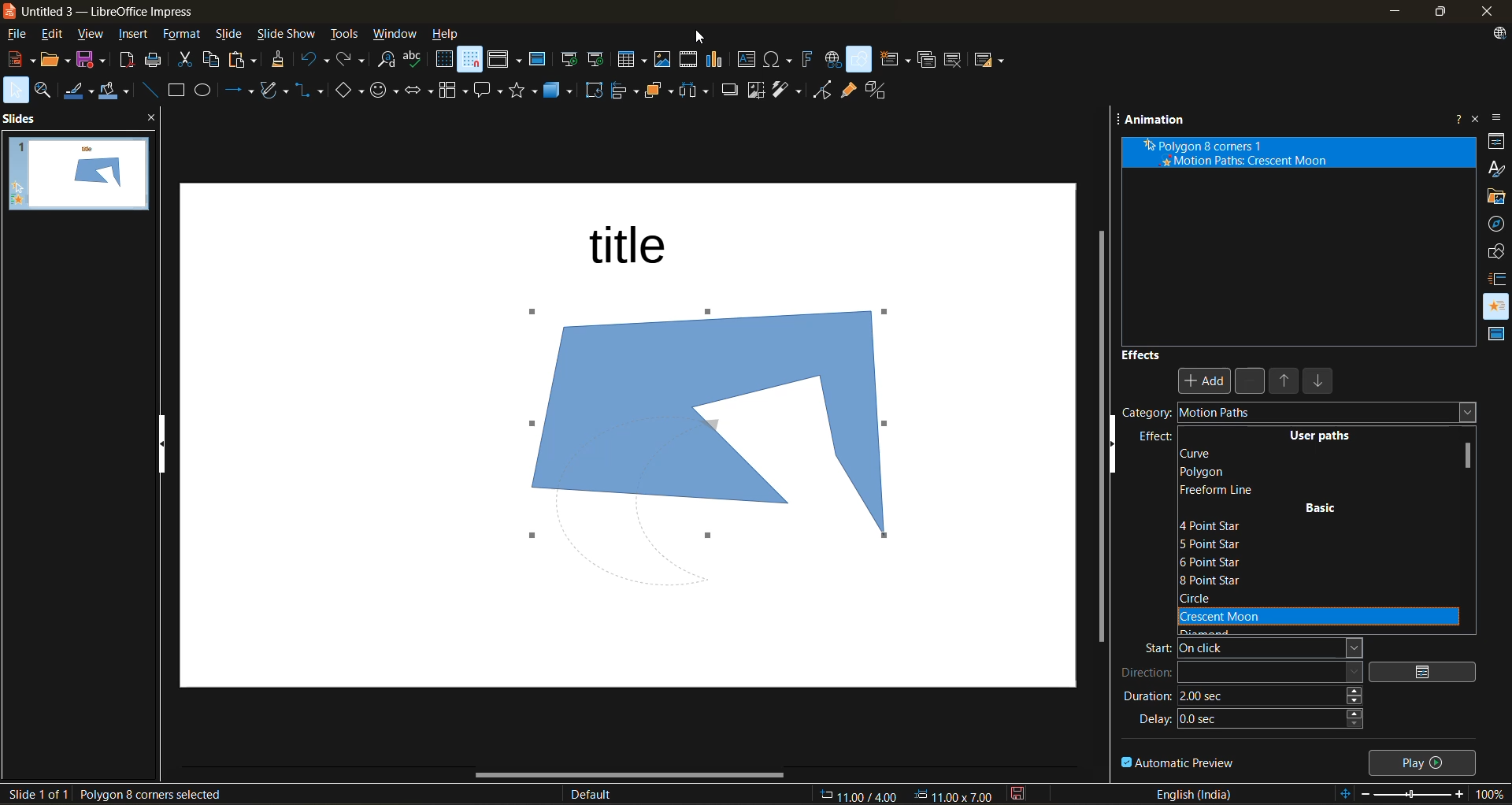 This screenshot has width=1512, height=805. Describe the element at coordinates (350, 35) in the screenshot. I see `tools` at that location.